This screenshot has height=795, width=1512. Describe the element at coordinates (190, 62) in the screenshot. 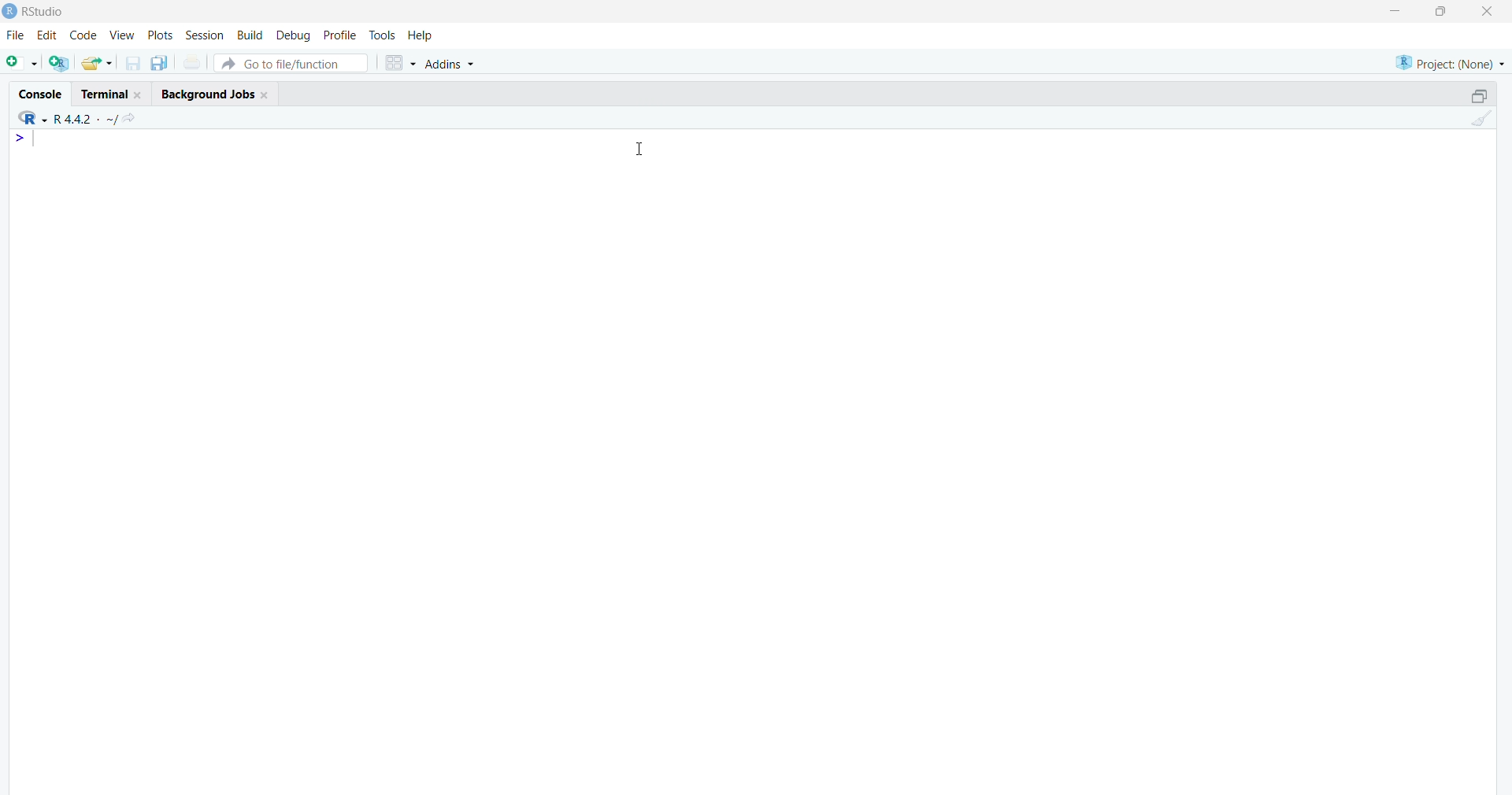

I see `print current file` at that location.